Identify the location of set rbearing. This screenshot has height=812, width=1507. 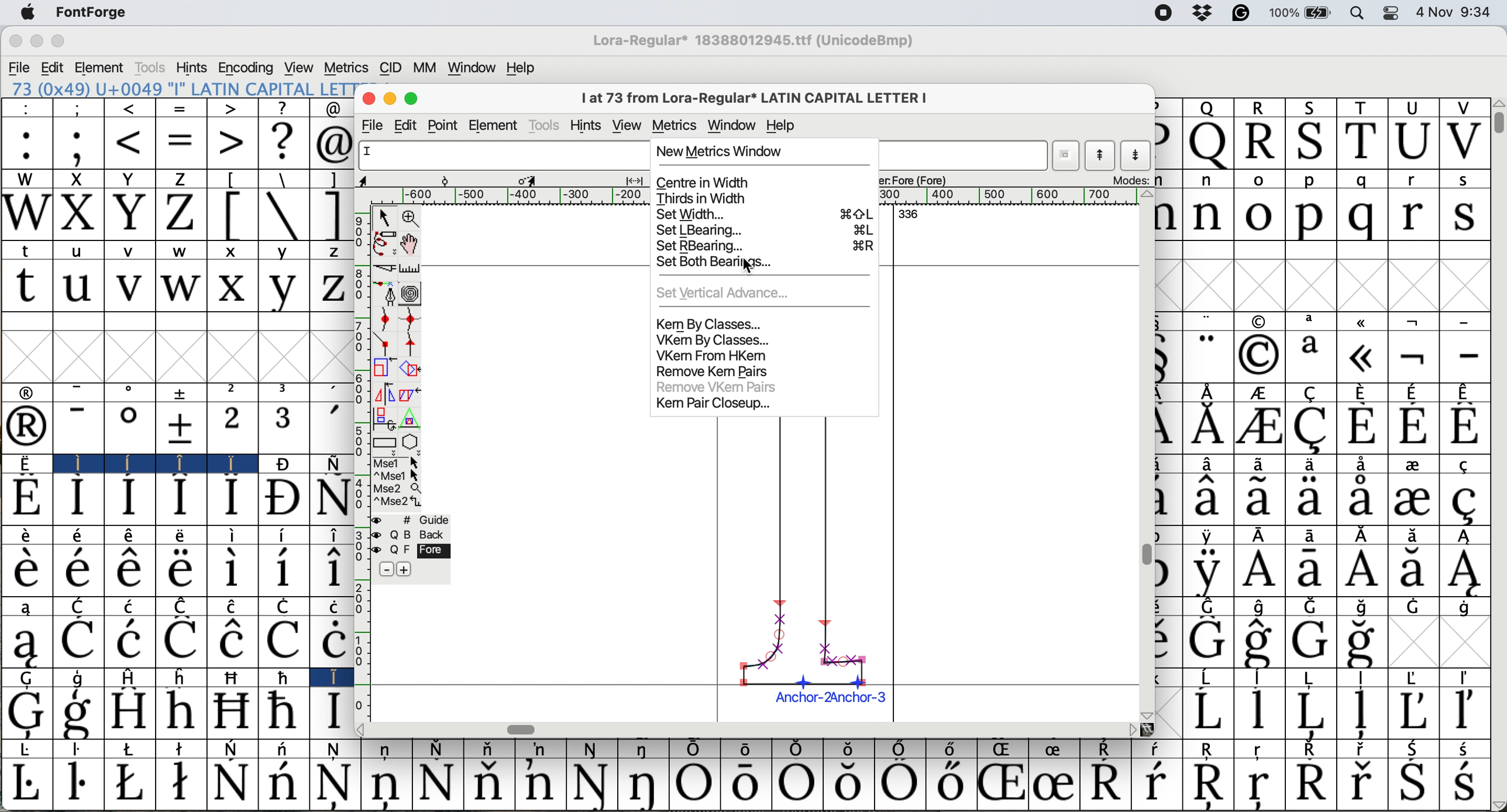
(765, 246).